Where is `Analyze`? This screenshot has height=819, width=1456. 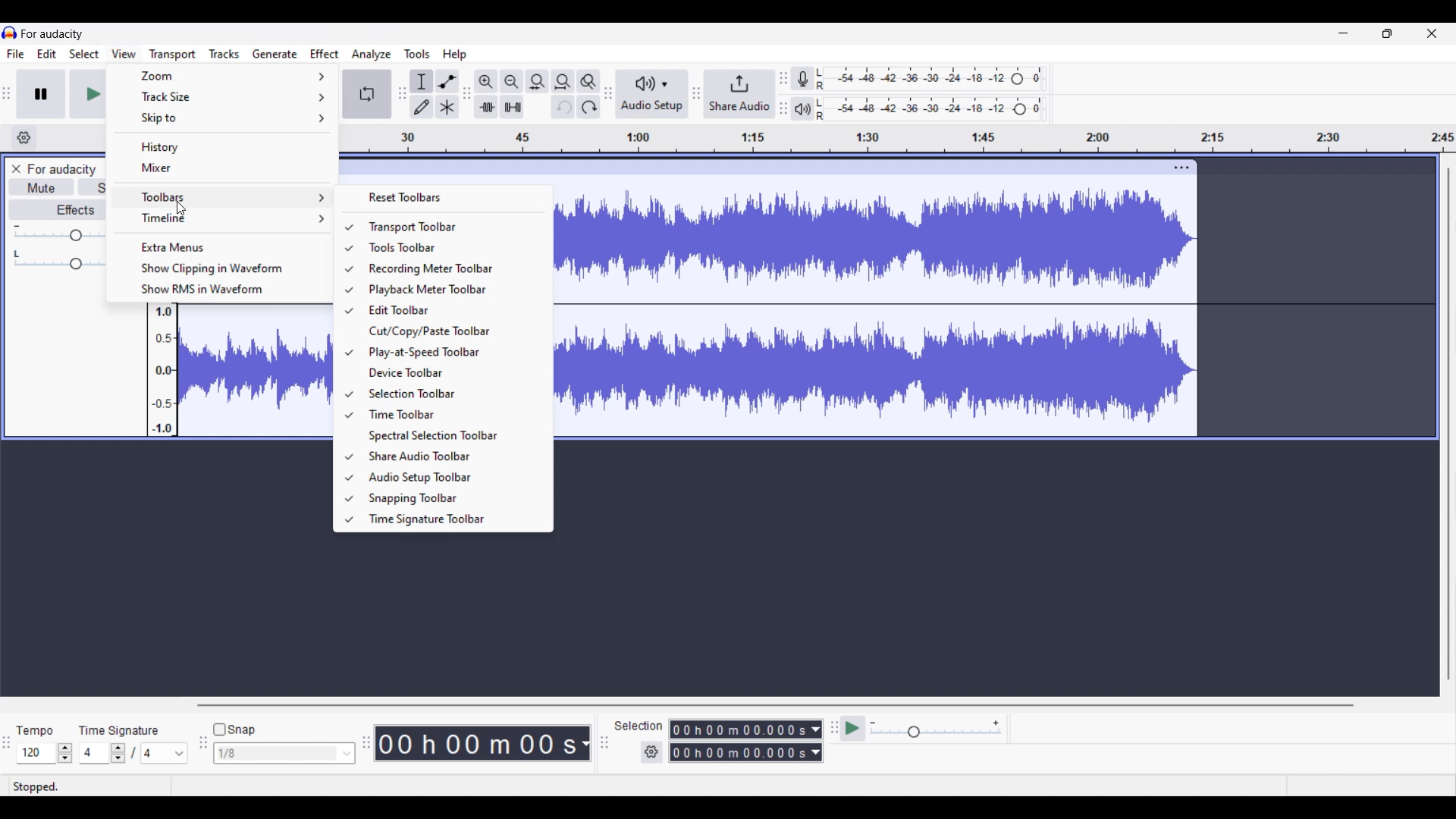
Analyze is located at coordinates (372, 55).